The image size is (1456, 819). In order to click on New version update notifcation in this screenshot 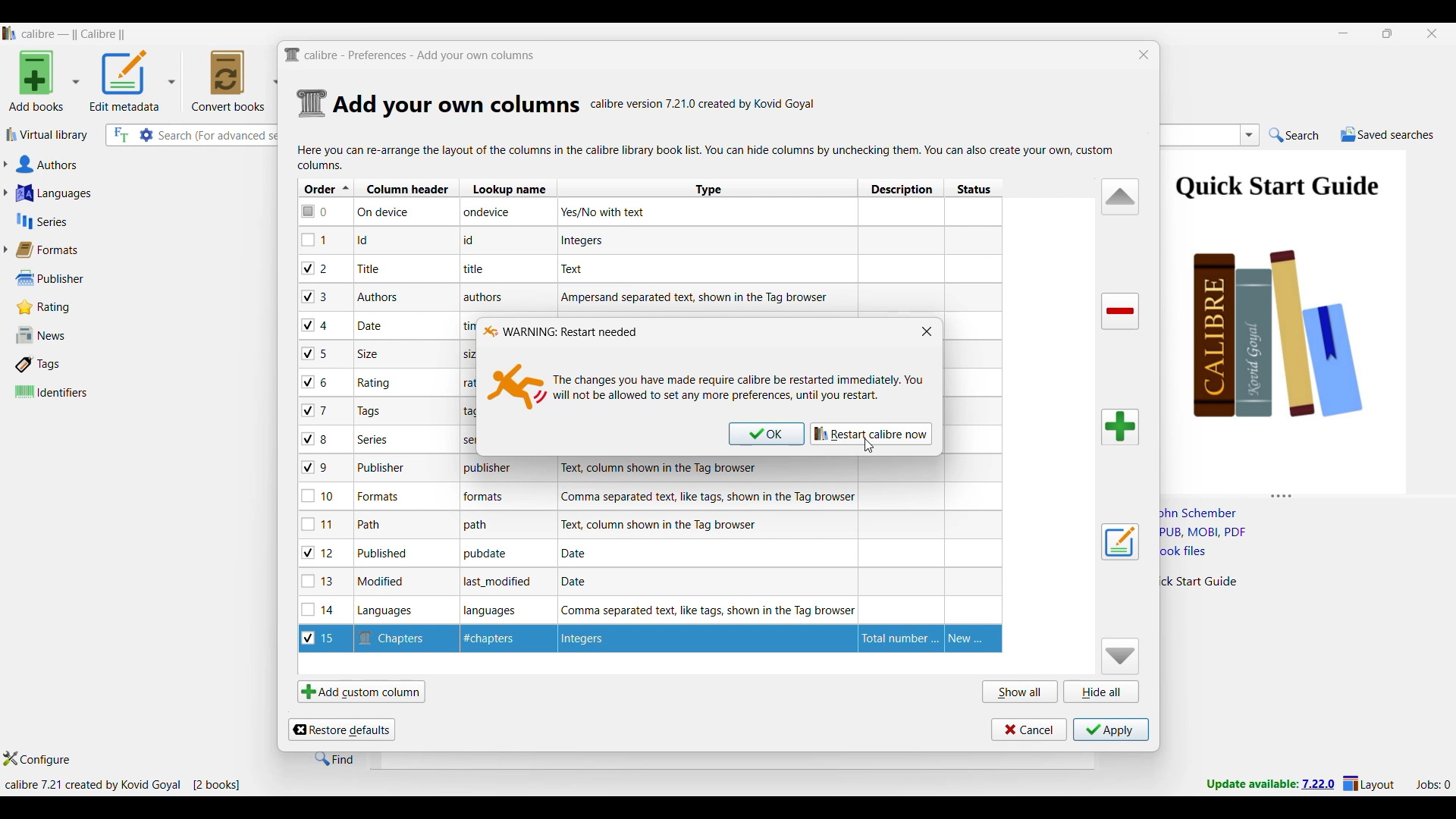, I will do `click(1270, 783)`.